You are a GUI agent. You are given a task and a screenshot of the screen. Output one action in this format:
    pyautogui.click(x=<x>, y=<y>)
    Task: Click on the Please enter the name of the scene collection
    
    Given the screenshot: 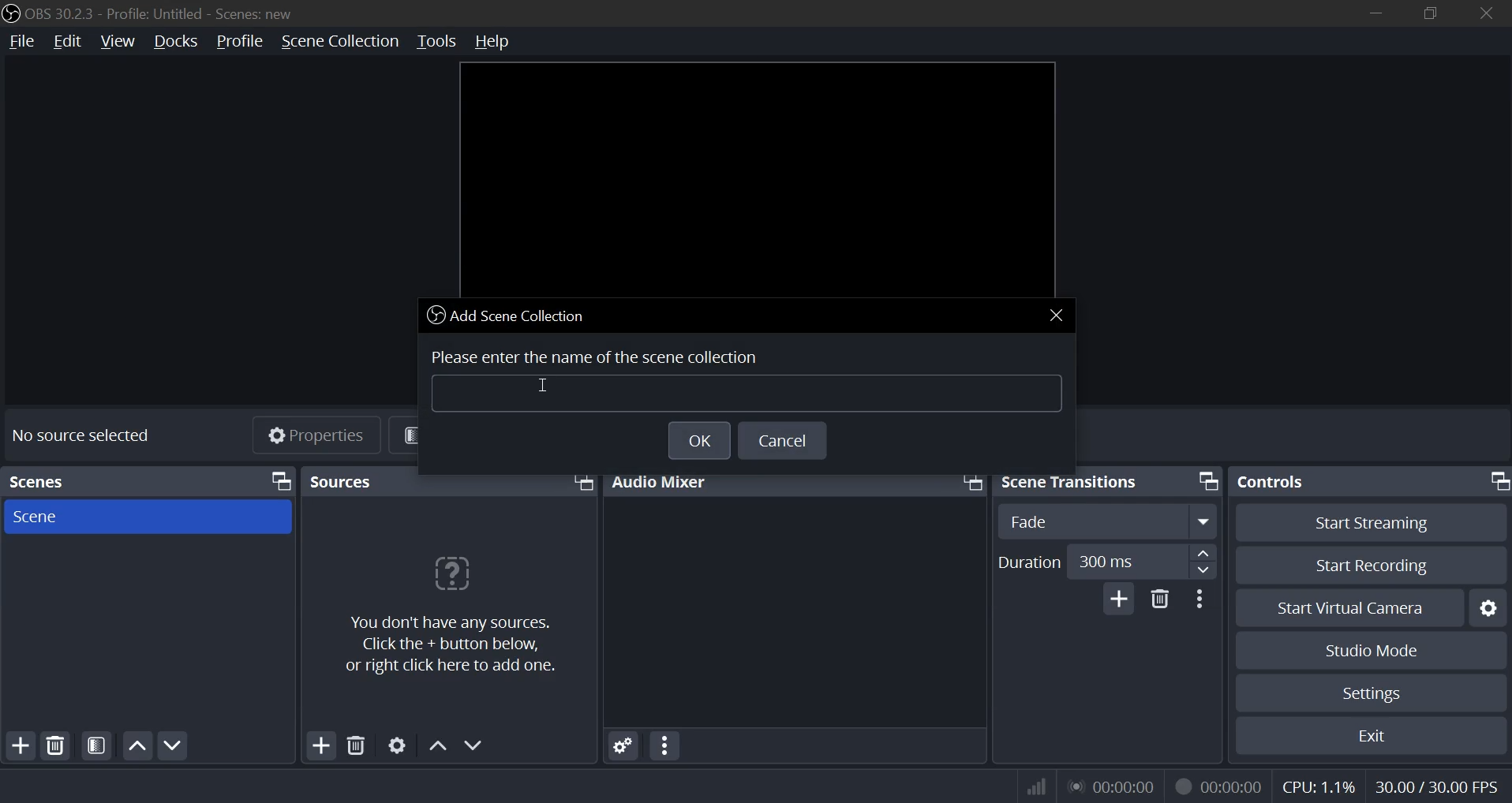 What is the action you would take?
    pyautogui.click(x=599, y=354)
    